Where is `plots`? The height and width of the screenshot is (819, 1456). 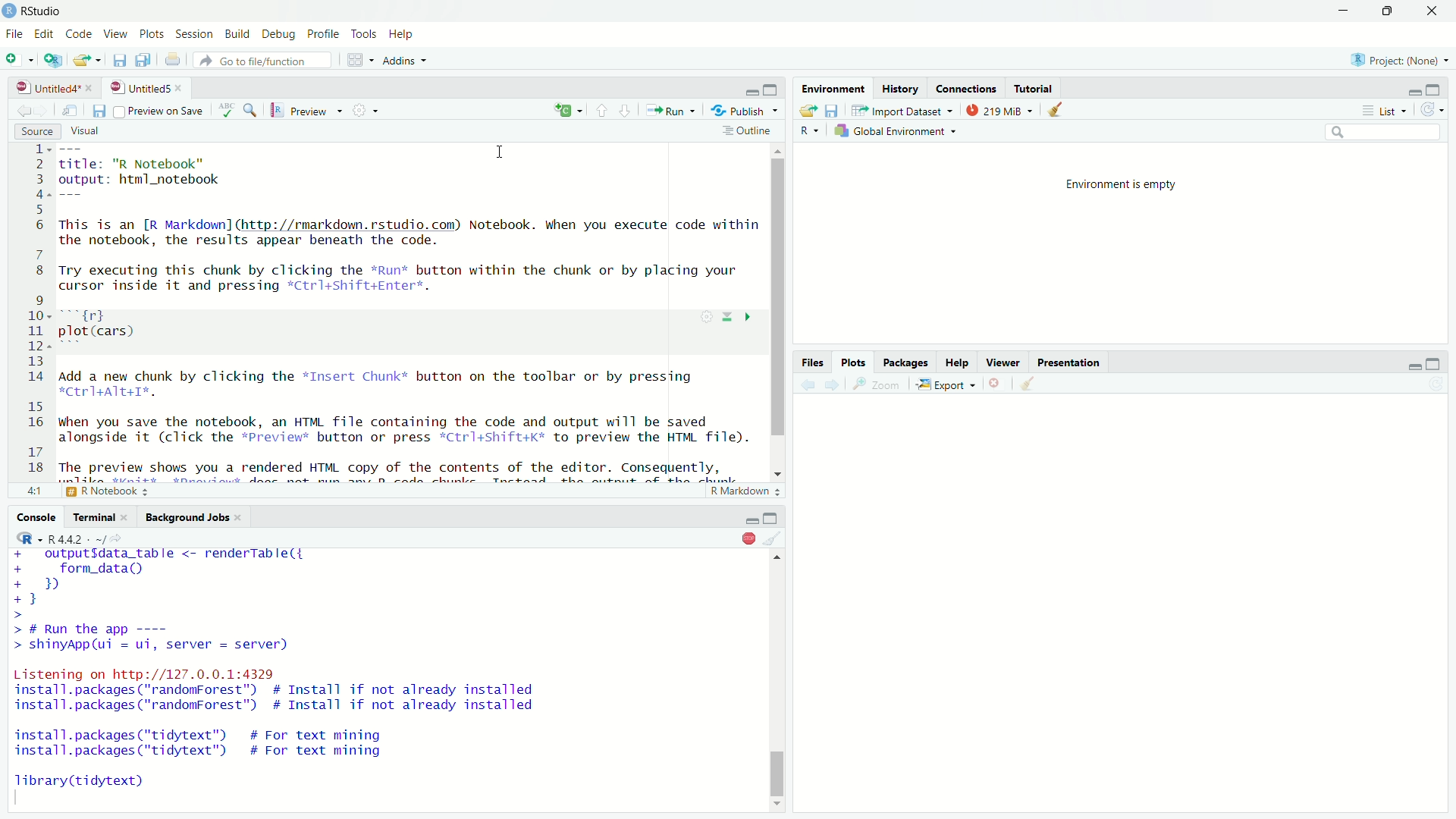 plots is located at coordinates (852, 362).